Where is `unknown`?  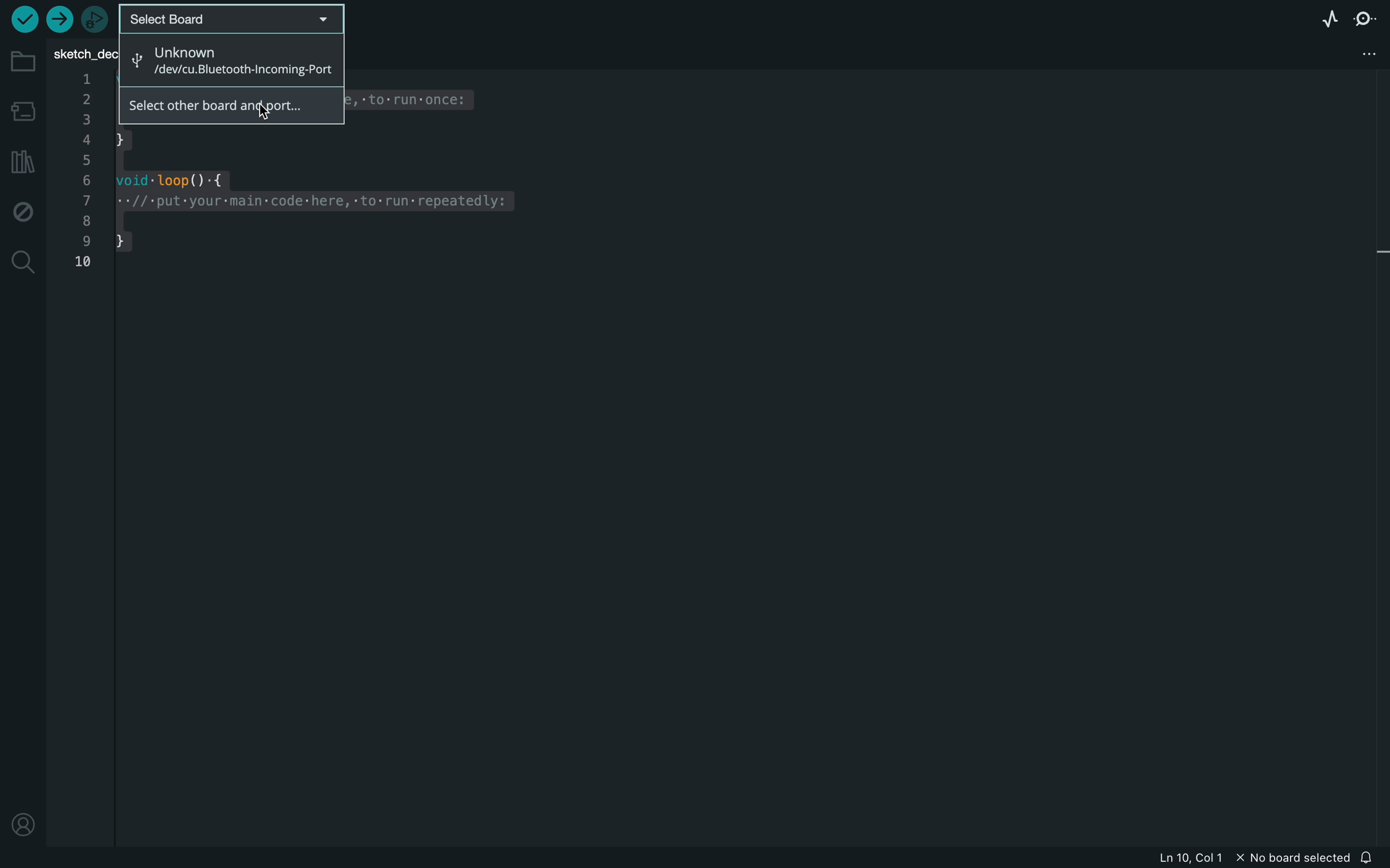 unknown is located at coordinates (229, 59).